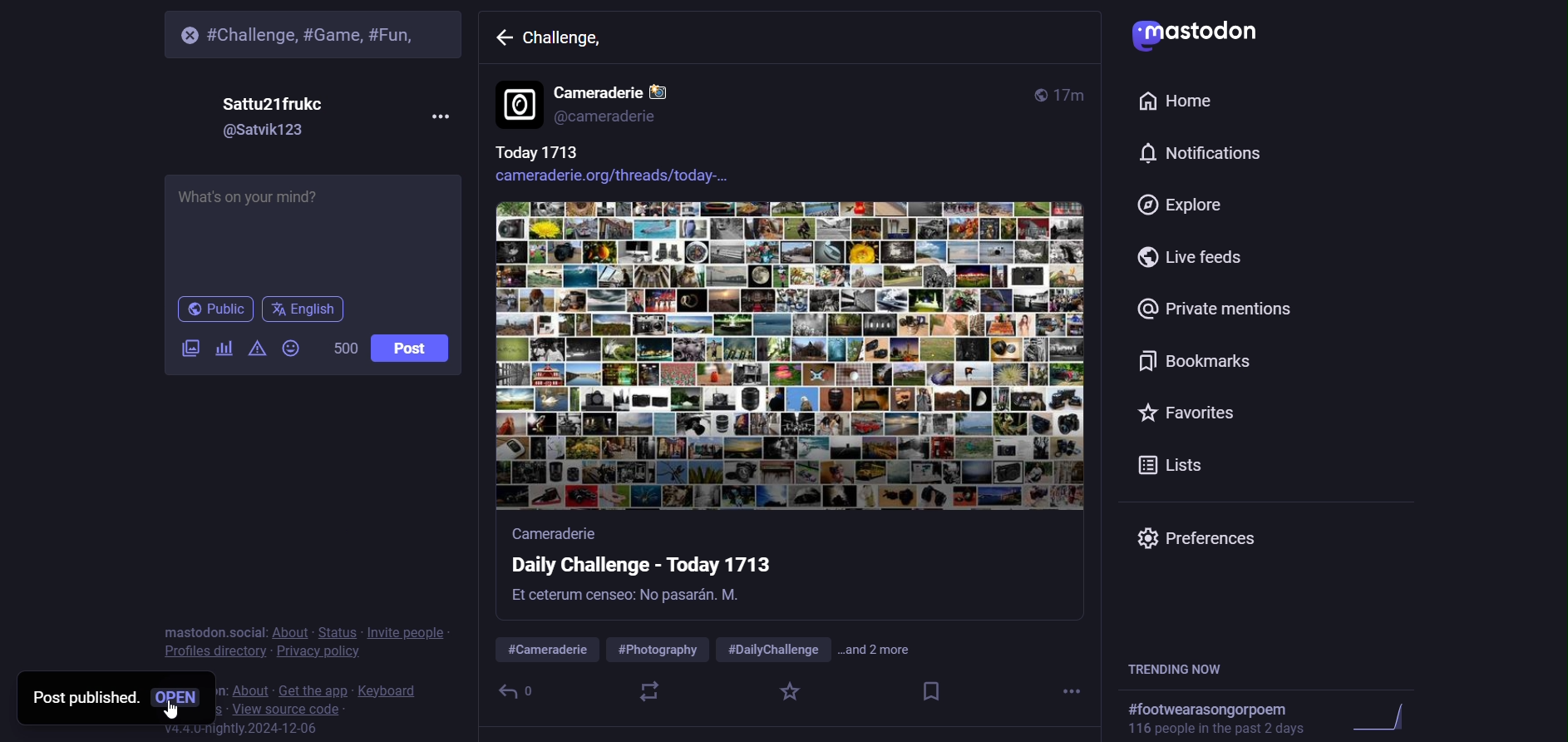 The width and height of the screenshot is (1568, 742). What do you see at coordinates (1178, 101) in the screenshot?
I see `home` at bounding box center [1178, 101].